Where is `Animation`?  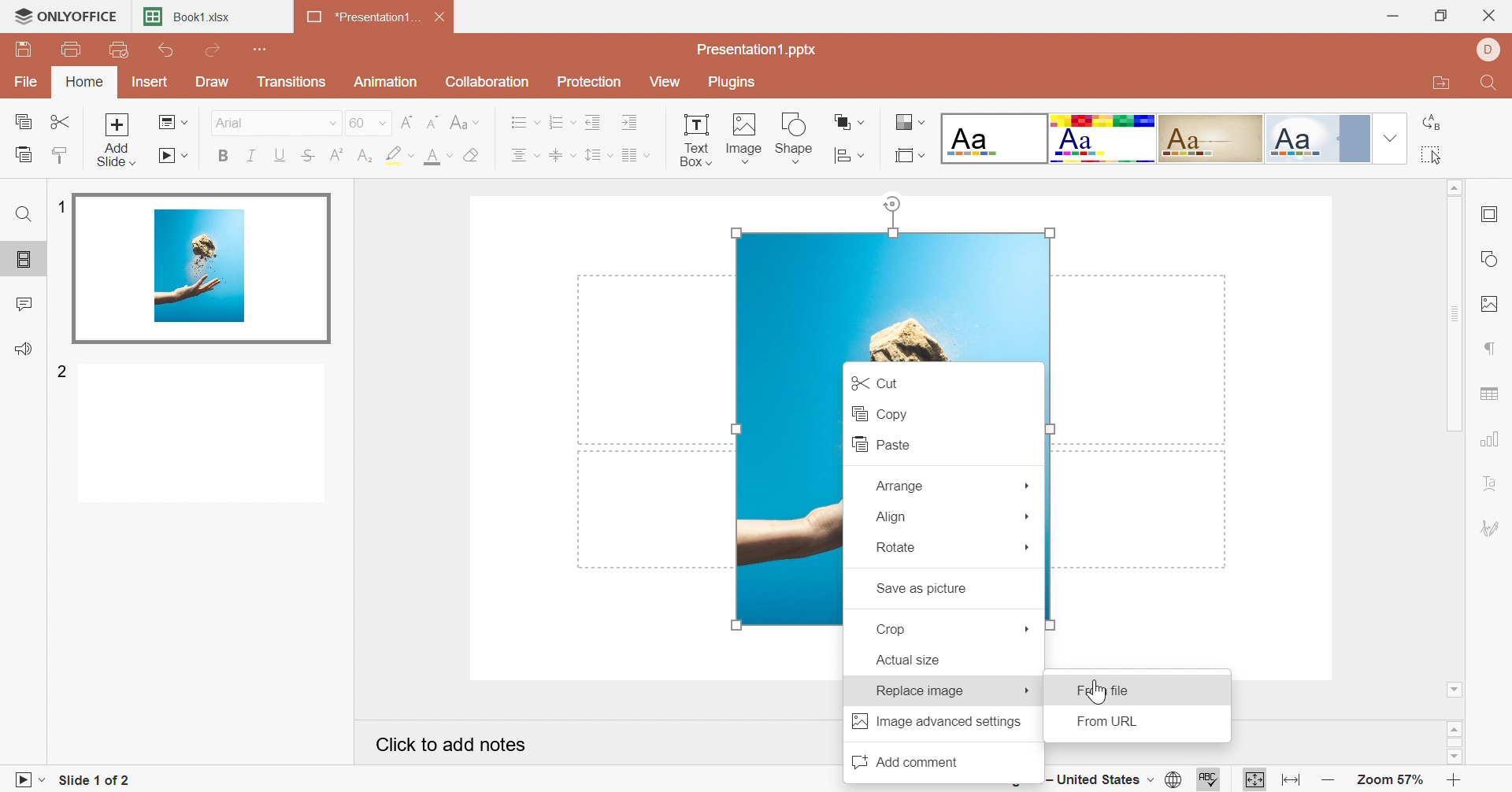
Animation is located at coordinates (386, 82).